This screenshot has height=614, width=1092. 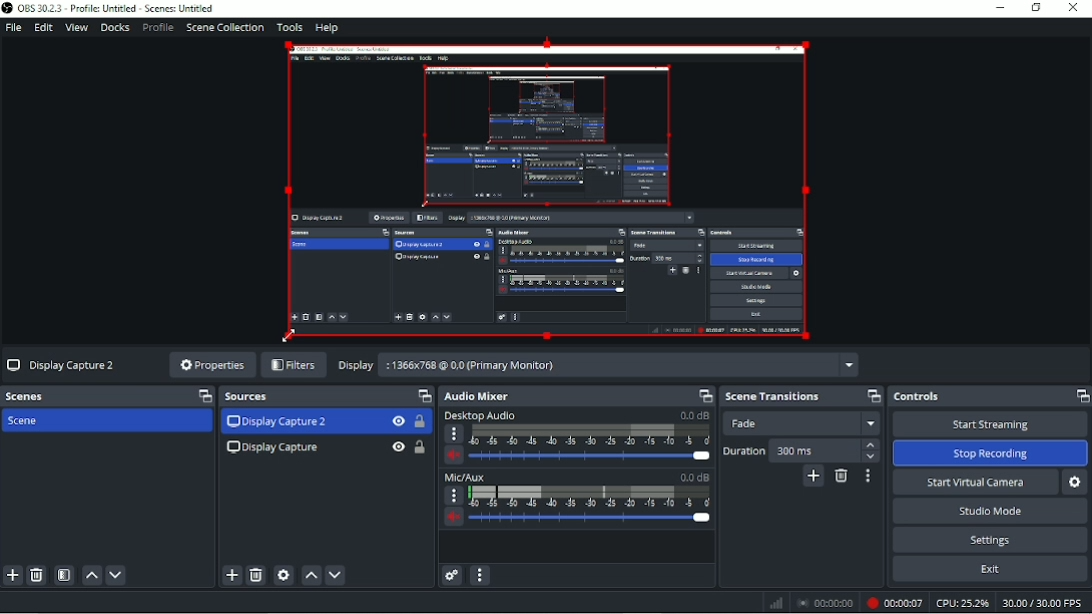 I want to click on Start virtual camera, so click(x=975, y=482).